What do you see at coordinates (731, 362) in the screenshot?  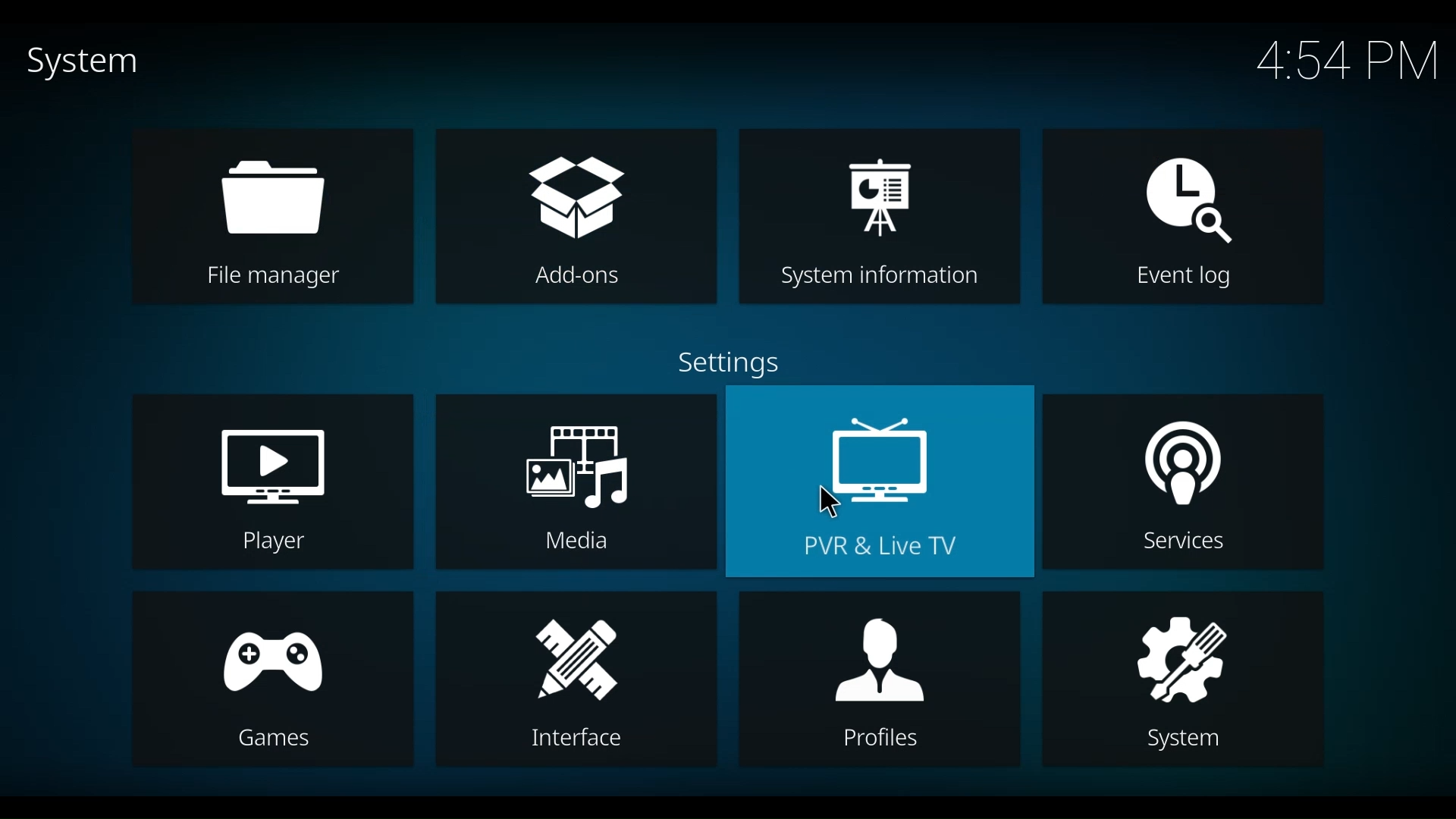 I see `Settings` at bounding box center [731, 362].